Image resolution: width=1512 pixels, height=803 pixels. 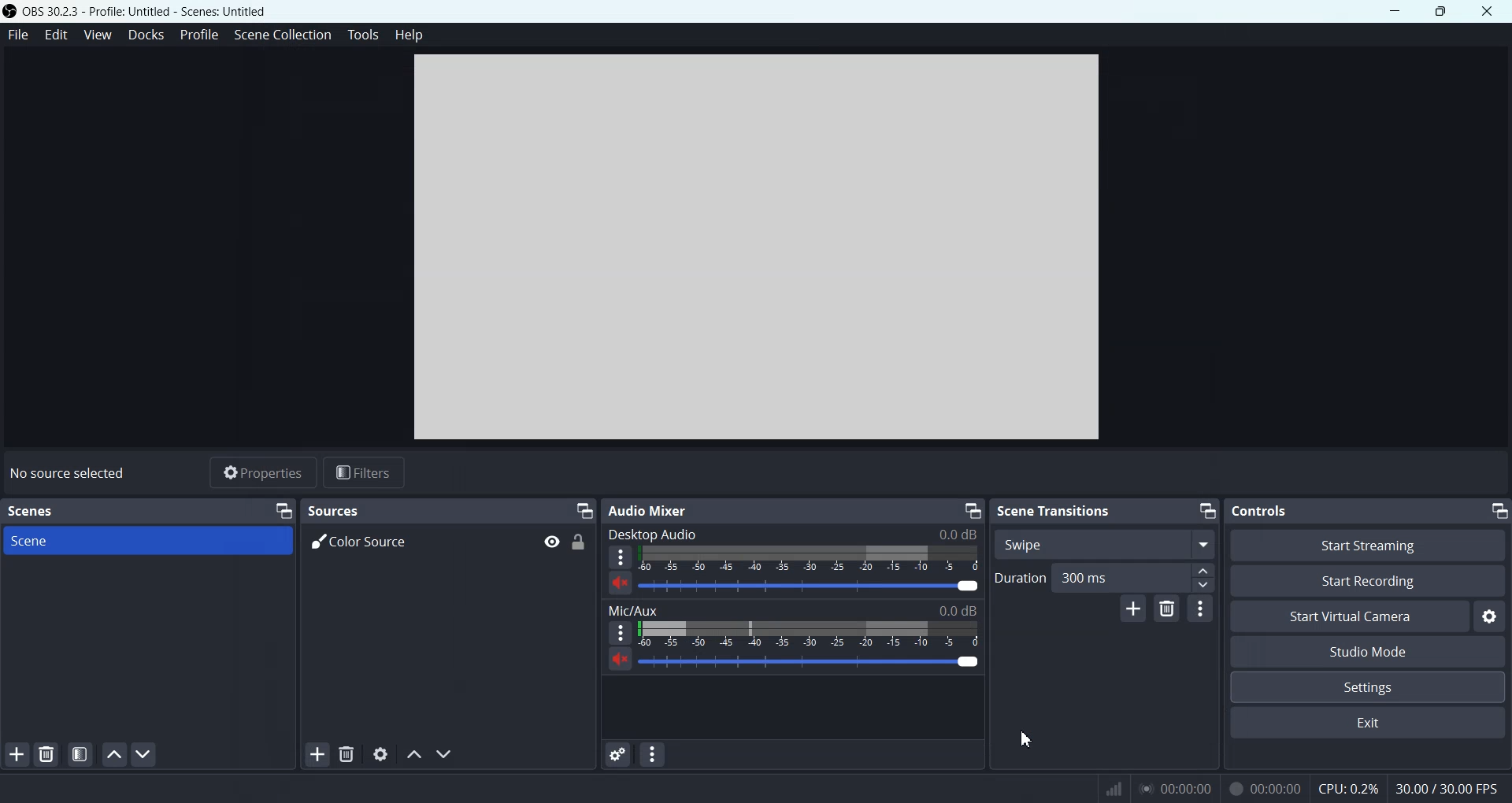 I want to click on Minimize, so click(x=1499, y=510).